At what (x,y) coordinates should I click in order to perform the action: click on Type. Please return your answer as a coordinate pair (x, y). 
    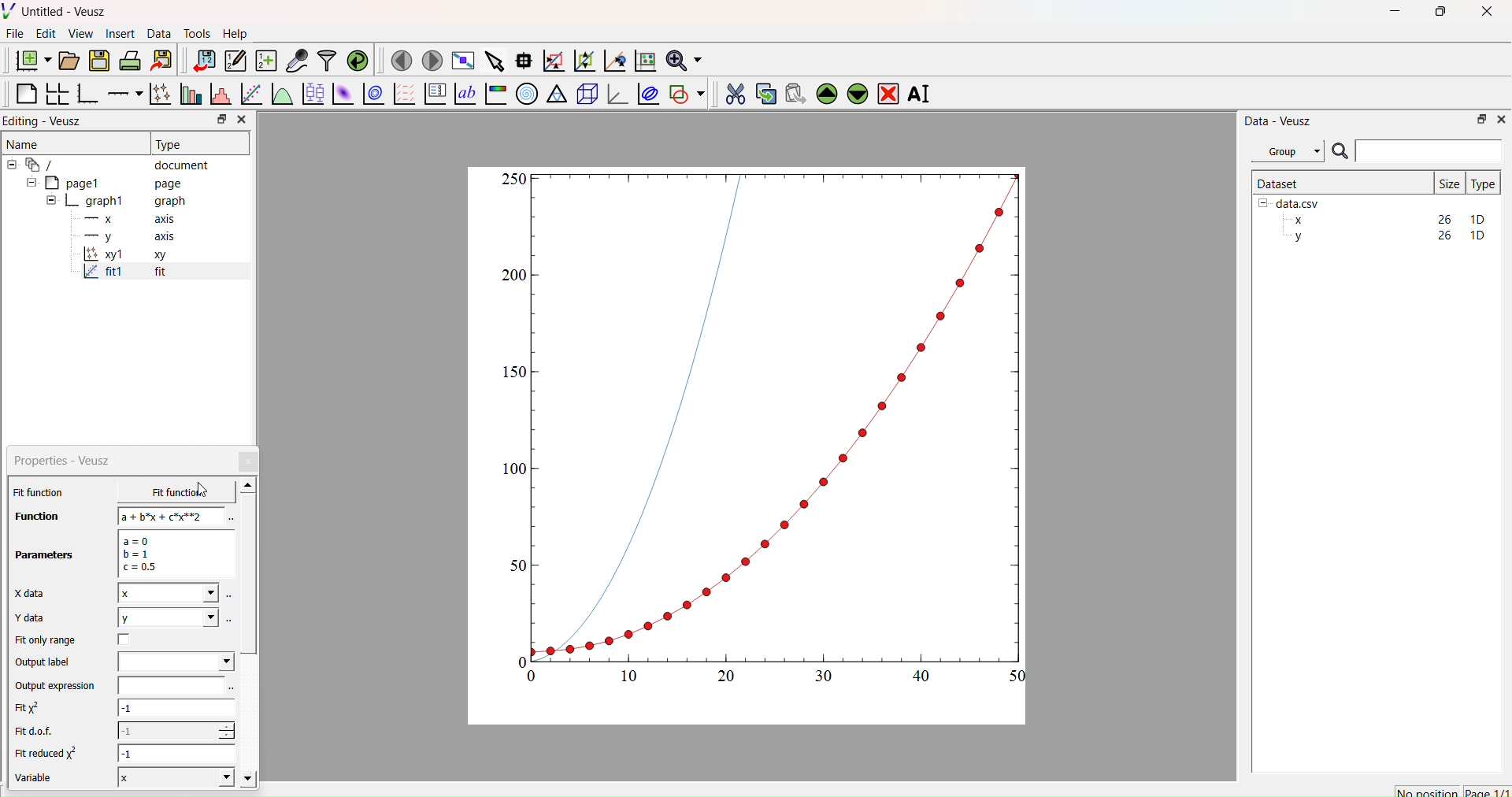
    Looking at the image, I should click on (171, 144).